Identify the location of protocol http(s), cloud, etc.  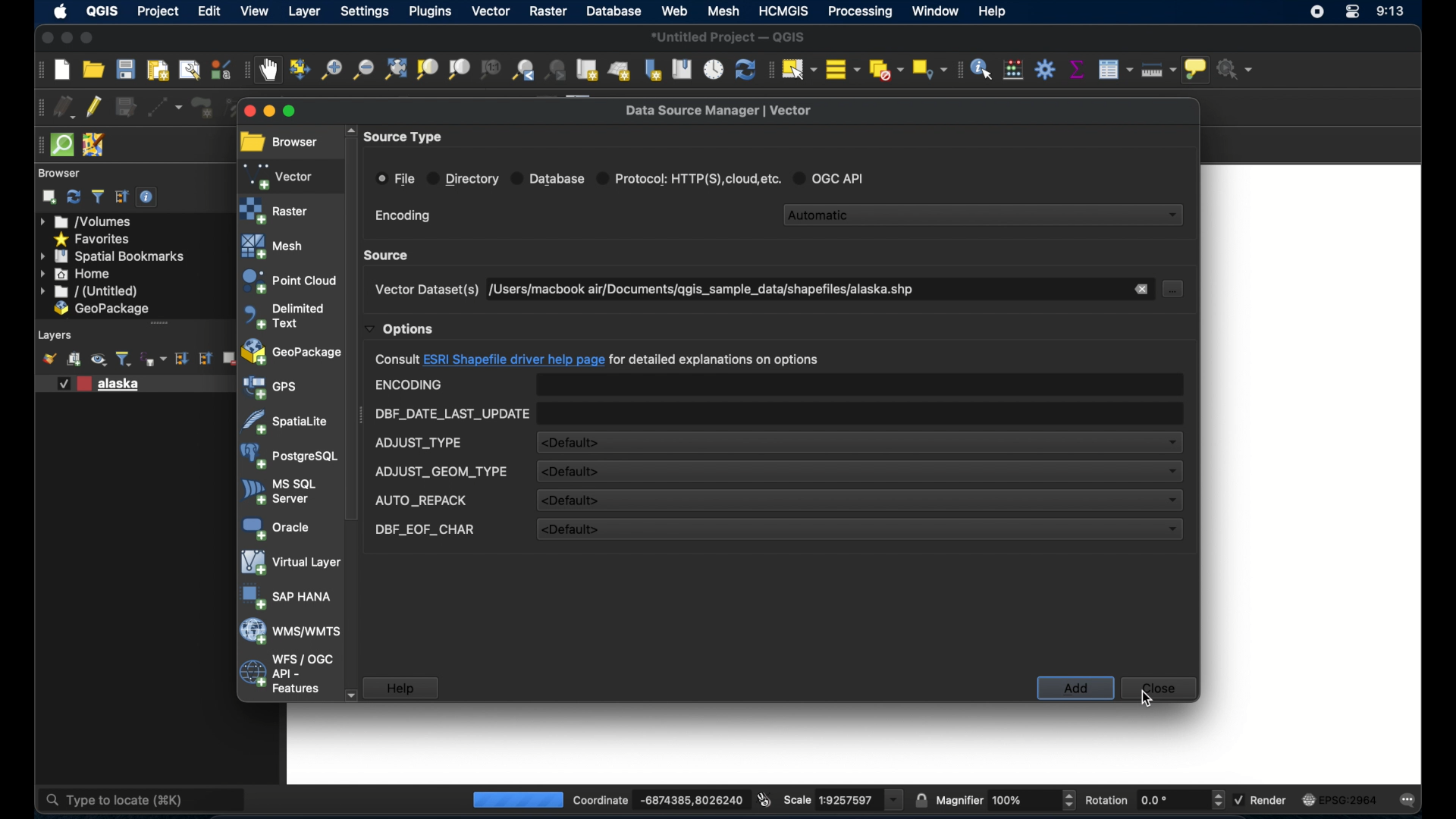
(690, 177).